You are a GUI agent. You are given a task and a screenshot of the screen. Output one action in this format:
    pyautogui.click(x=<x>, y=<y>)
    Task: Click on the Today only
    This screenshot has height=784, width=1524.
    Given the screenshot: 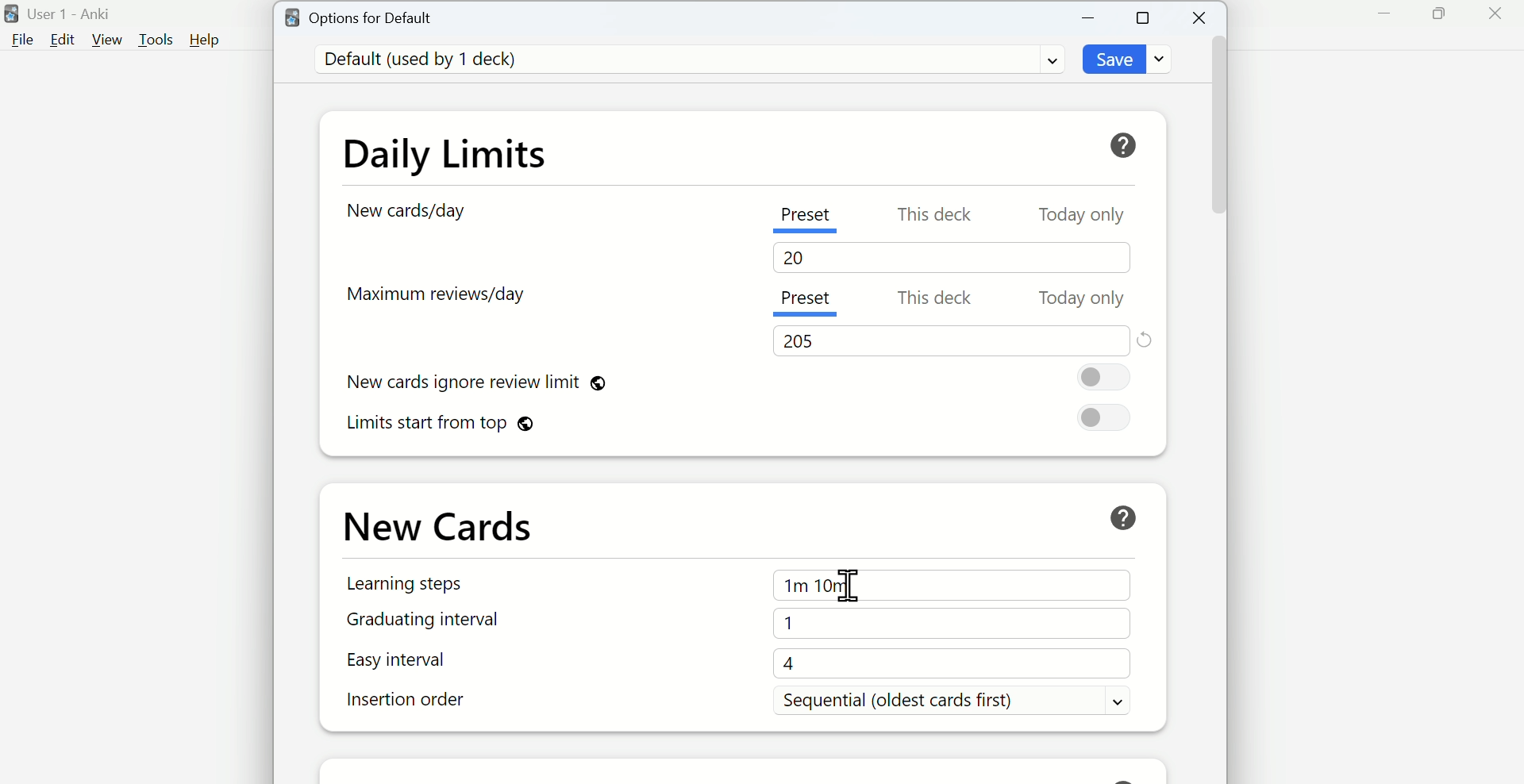 What is the action you would take?
    pyautogui.click(x=1086, y=298)
    